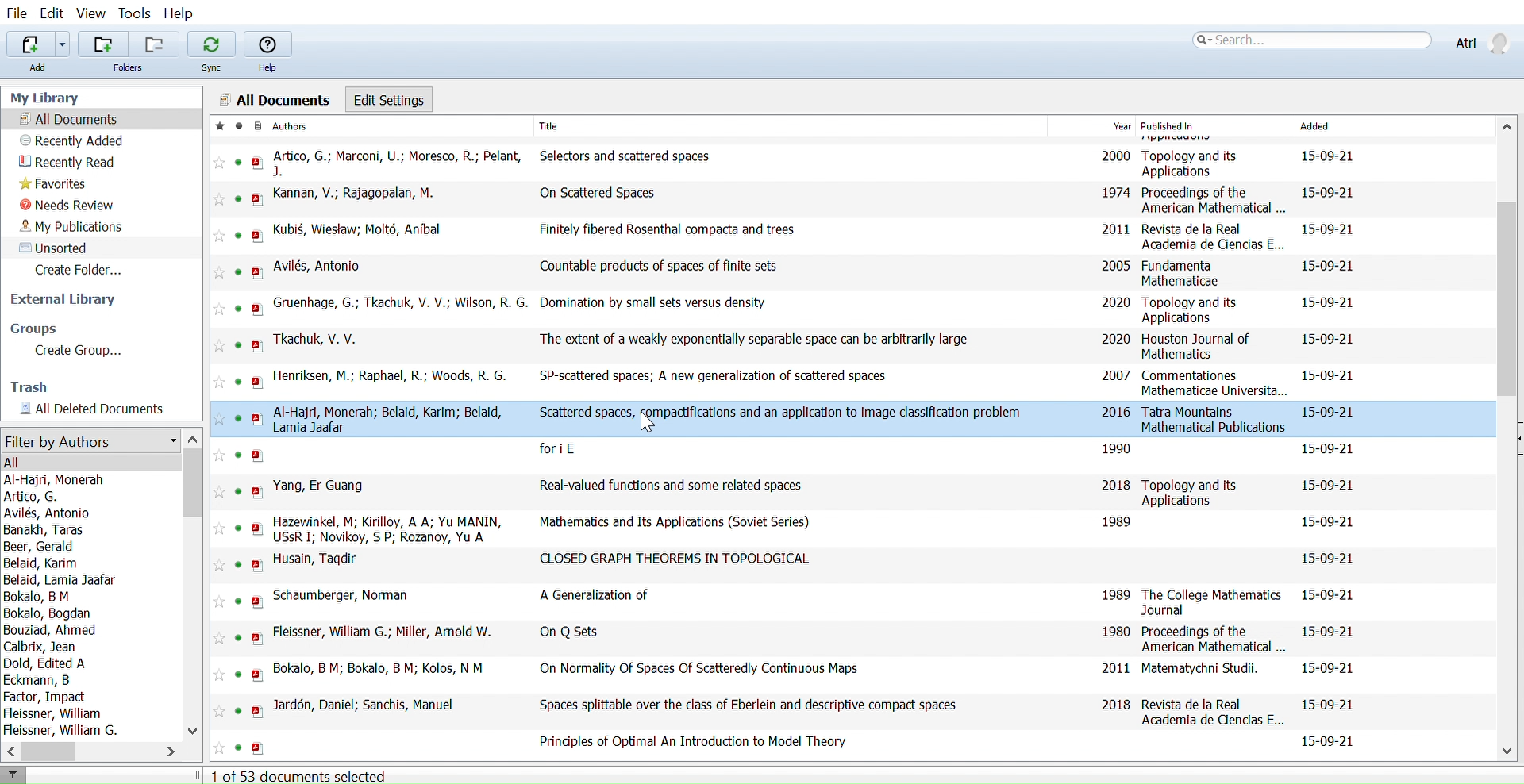 This screenshot has width=1524, height=784. What do you see at coordinates (575, 631) in the screenshot?
I see `On Q Sets` at bounding box center [575, 631].